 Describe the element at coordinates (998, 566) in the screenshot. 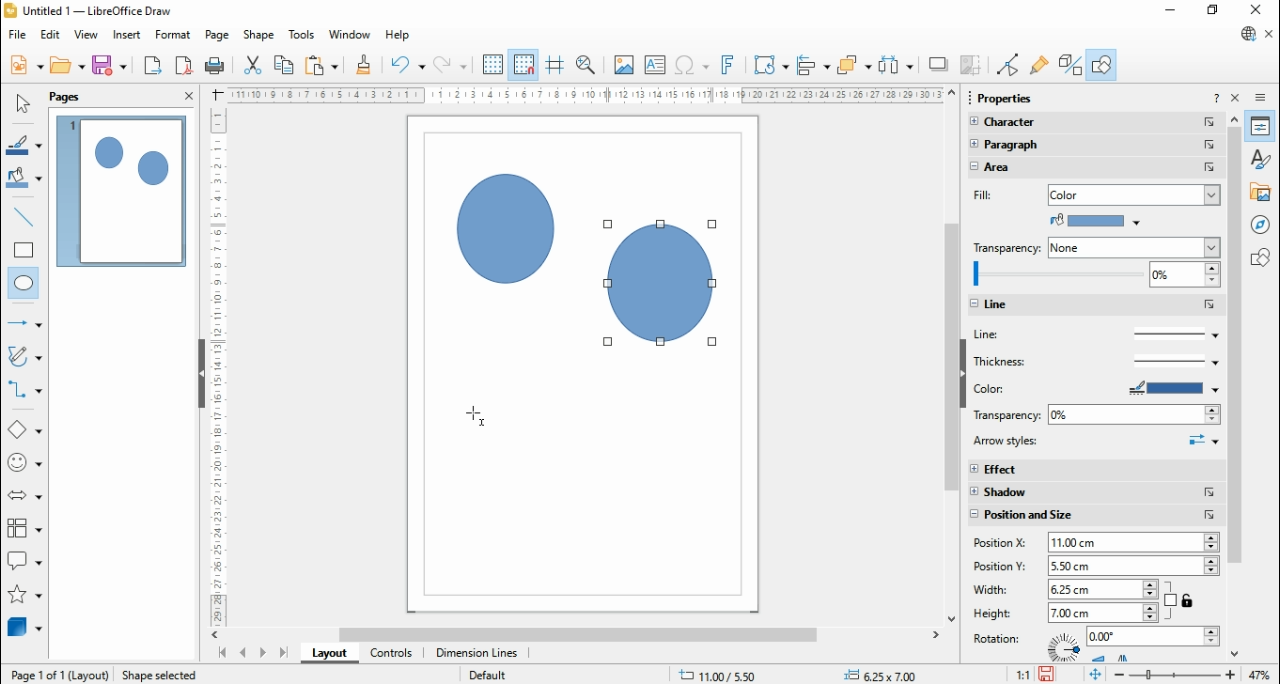

I see `position Y` at that location.